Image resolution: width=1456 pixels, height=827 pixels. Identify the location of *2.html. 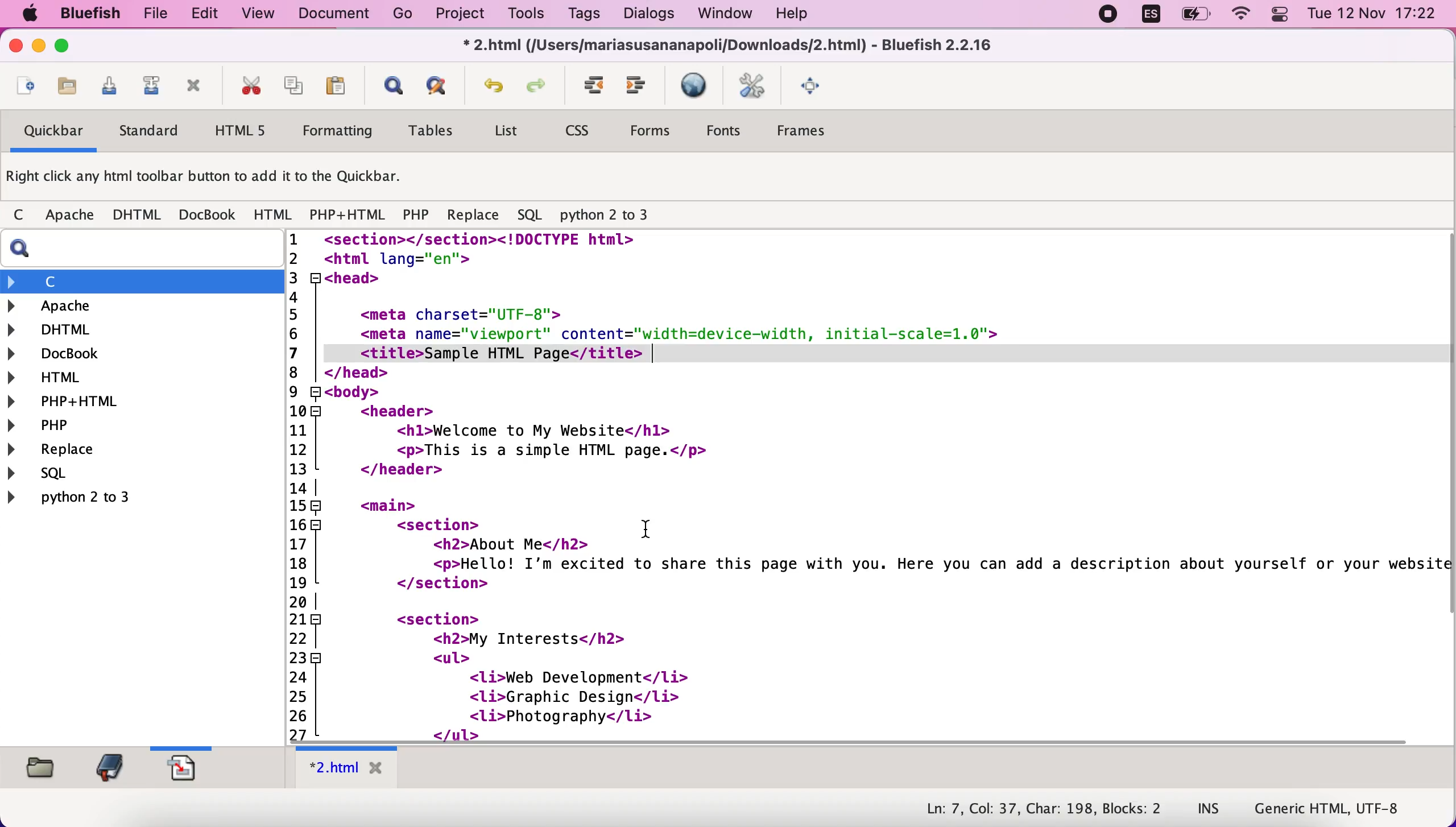
(349, 767).